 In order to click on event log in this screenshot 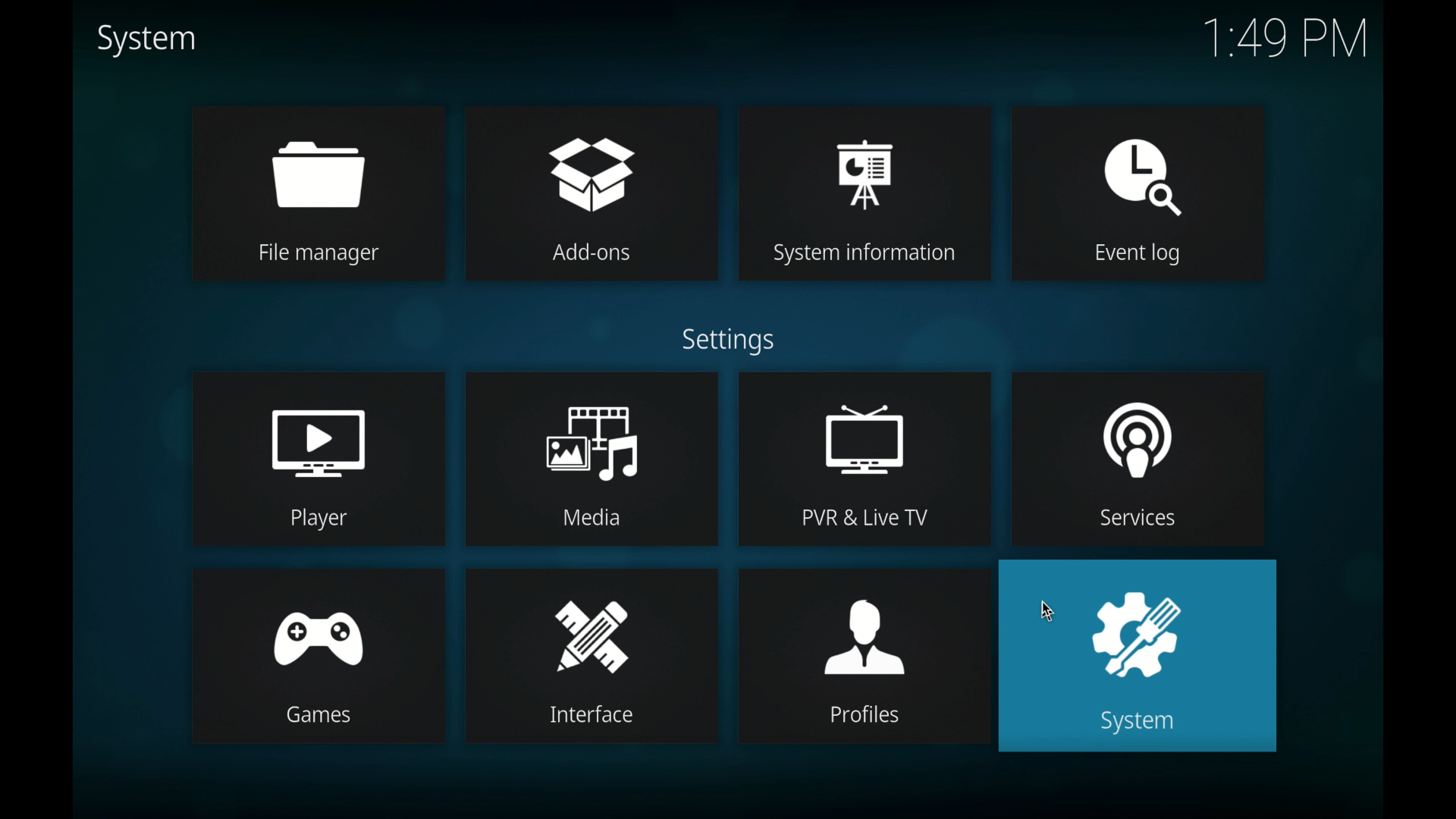, I will do `click(1138, 193)`.